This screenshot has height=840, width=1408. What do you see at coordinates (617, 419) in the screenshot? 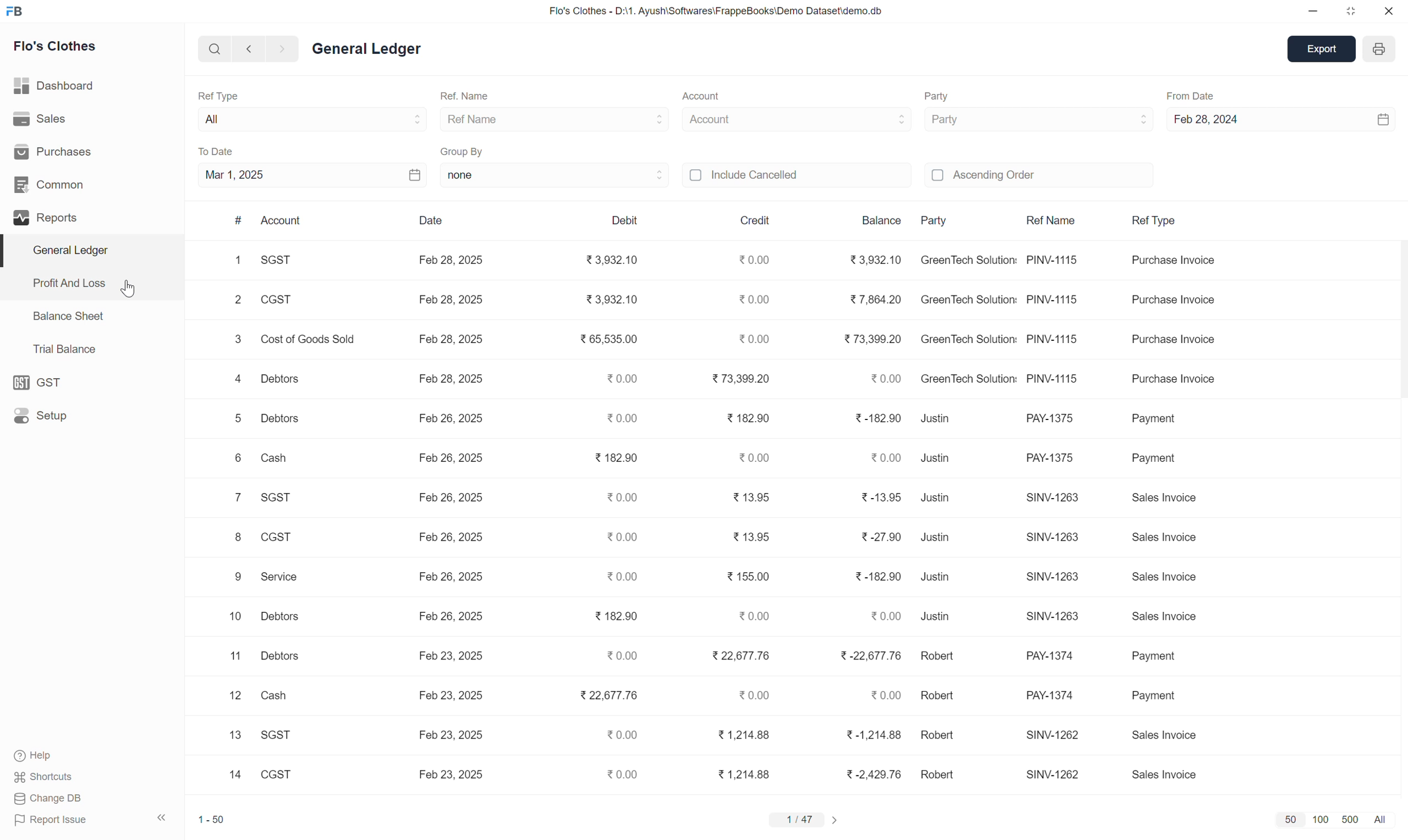
I see `₹0.00` at bounding box center [617, 419].